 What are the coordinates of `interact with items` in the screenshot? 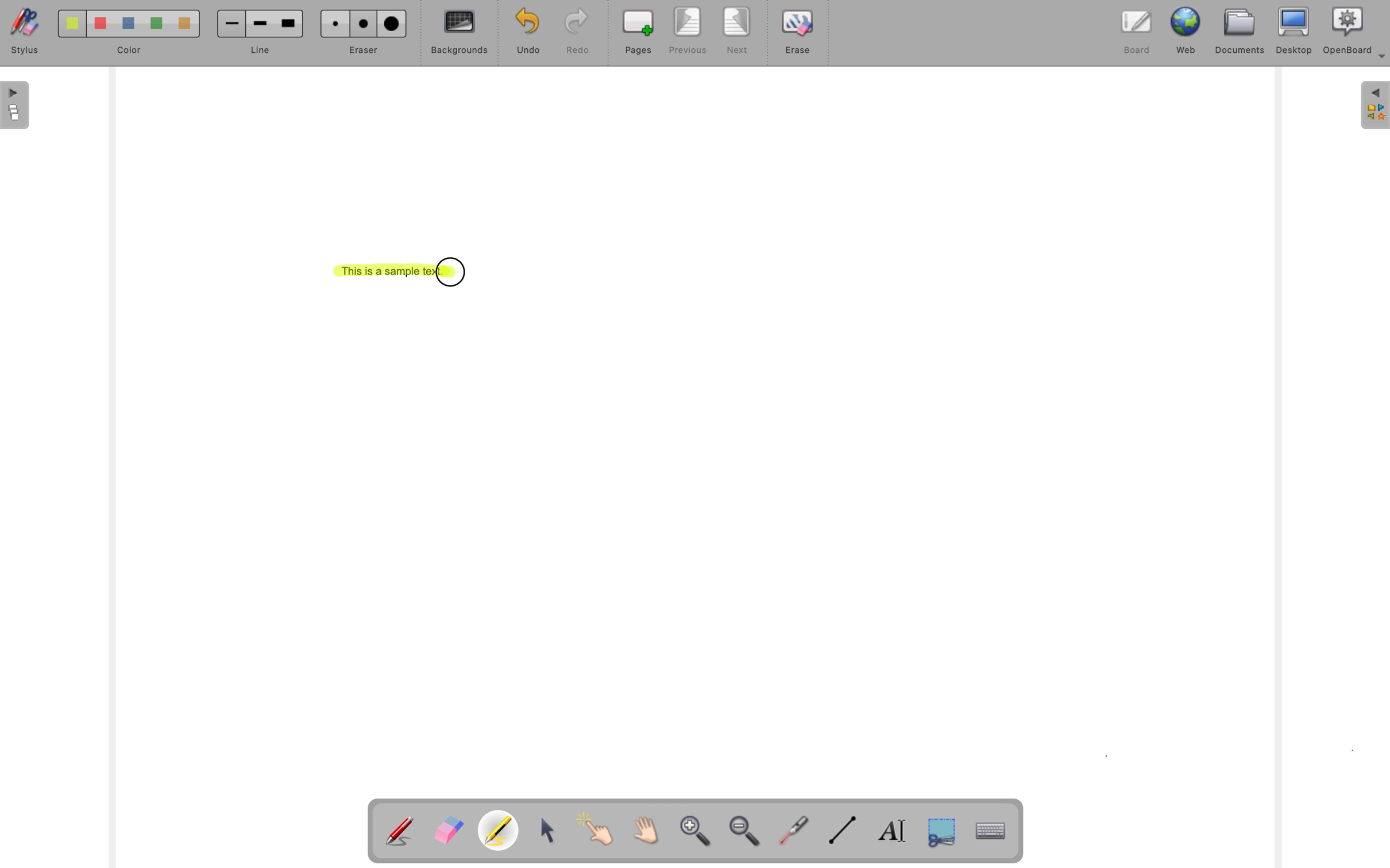 It's located at (603, 828).